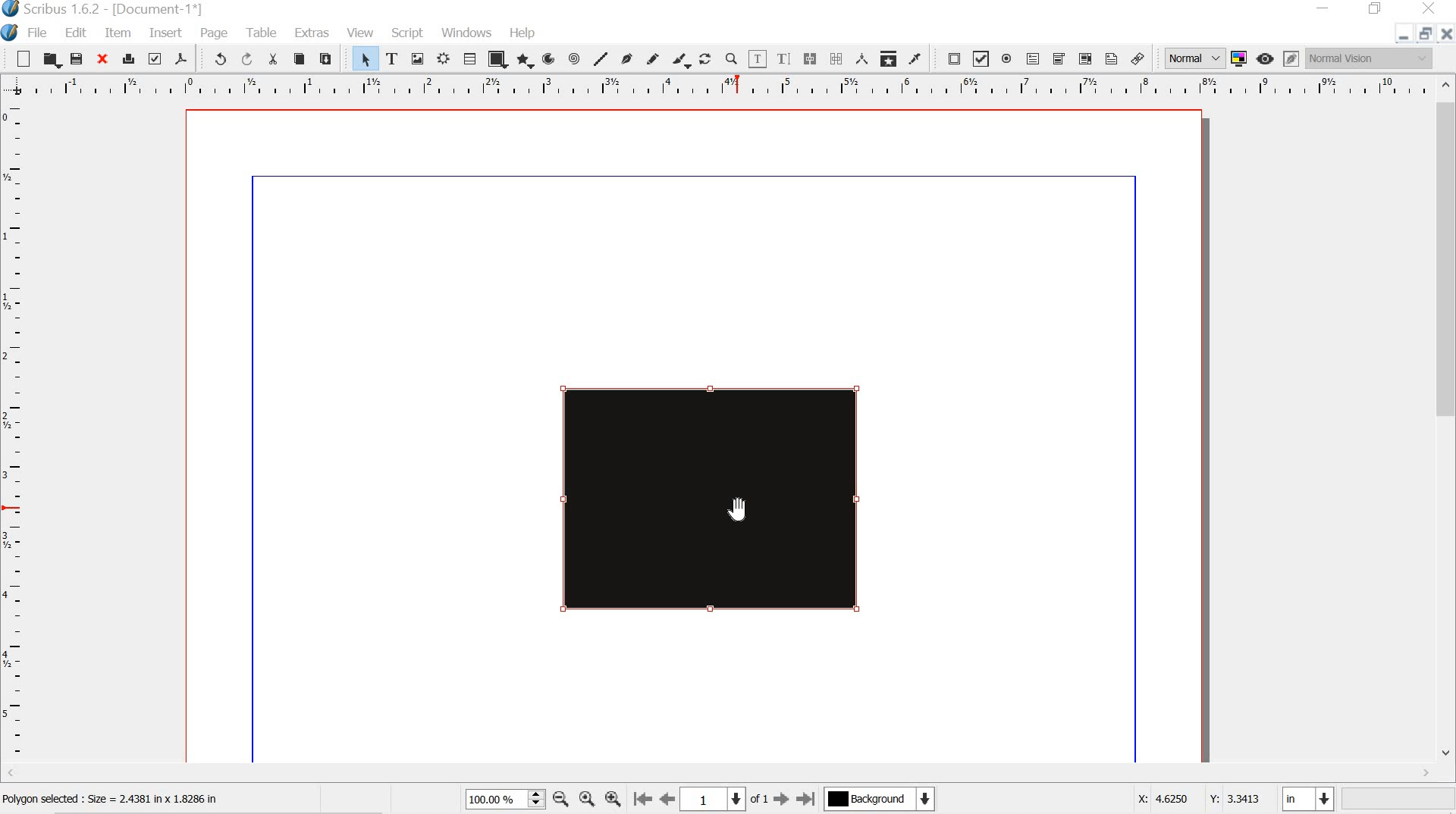 The width and height of the screenshot is (1456, 814). I want to click on preflight verifier, so click(153, 58).